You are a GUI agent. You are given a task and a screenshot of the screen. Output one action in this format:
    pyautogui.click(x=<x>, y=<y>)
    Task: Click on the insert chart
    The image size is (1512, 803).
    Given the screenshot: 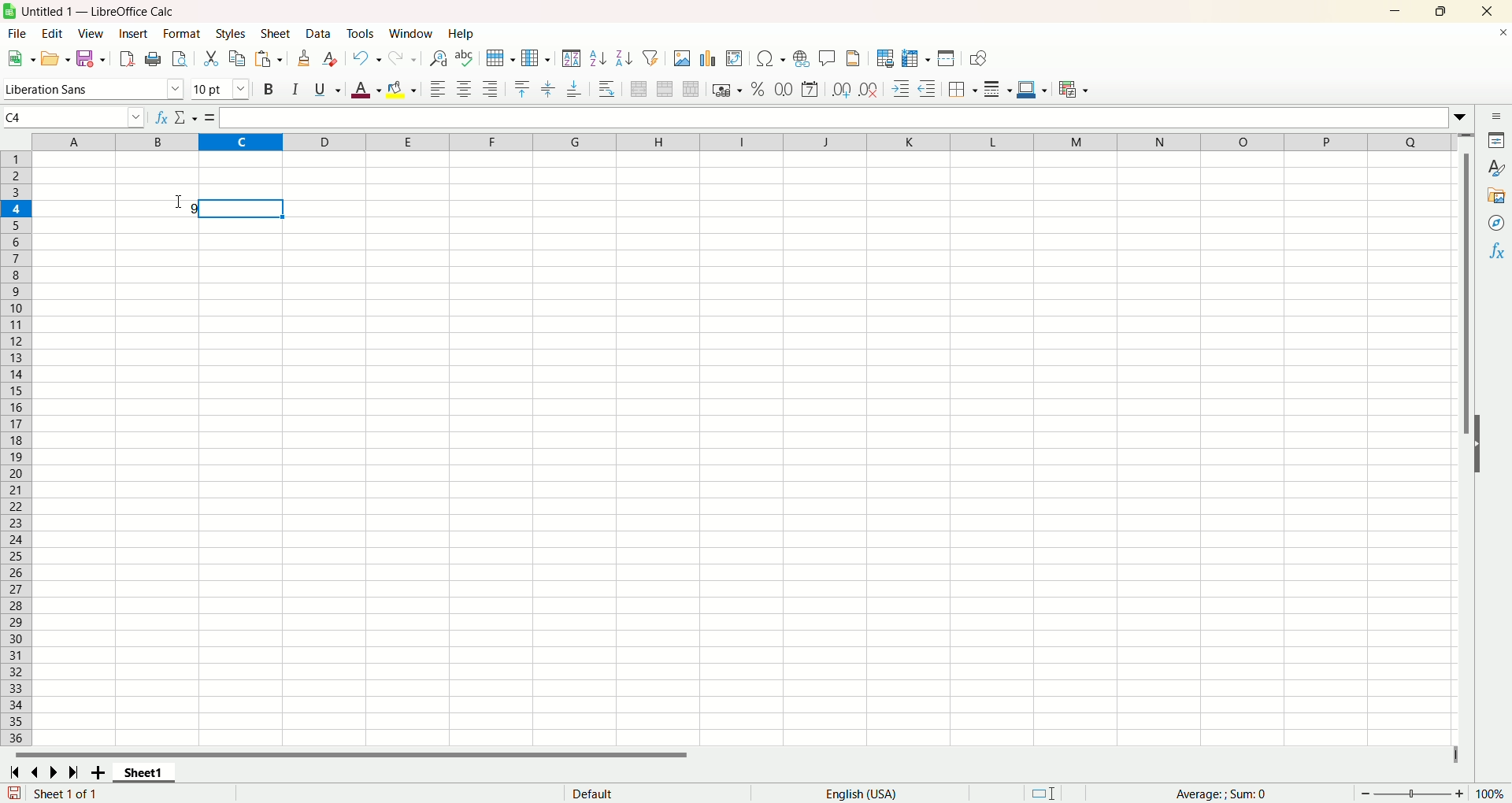 What is the action you would take?
    pyautogui.click(x=710, y=60)
    